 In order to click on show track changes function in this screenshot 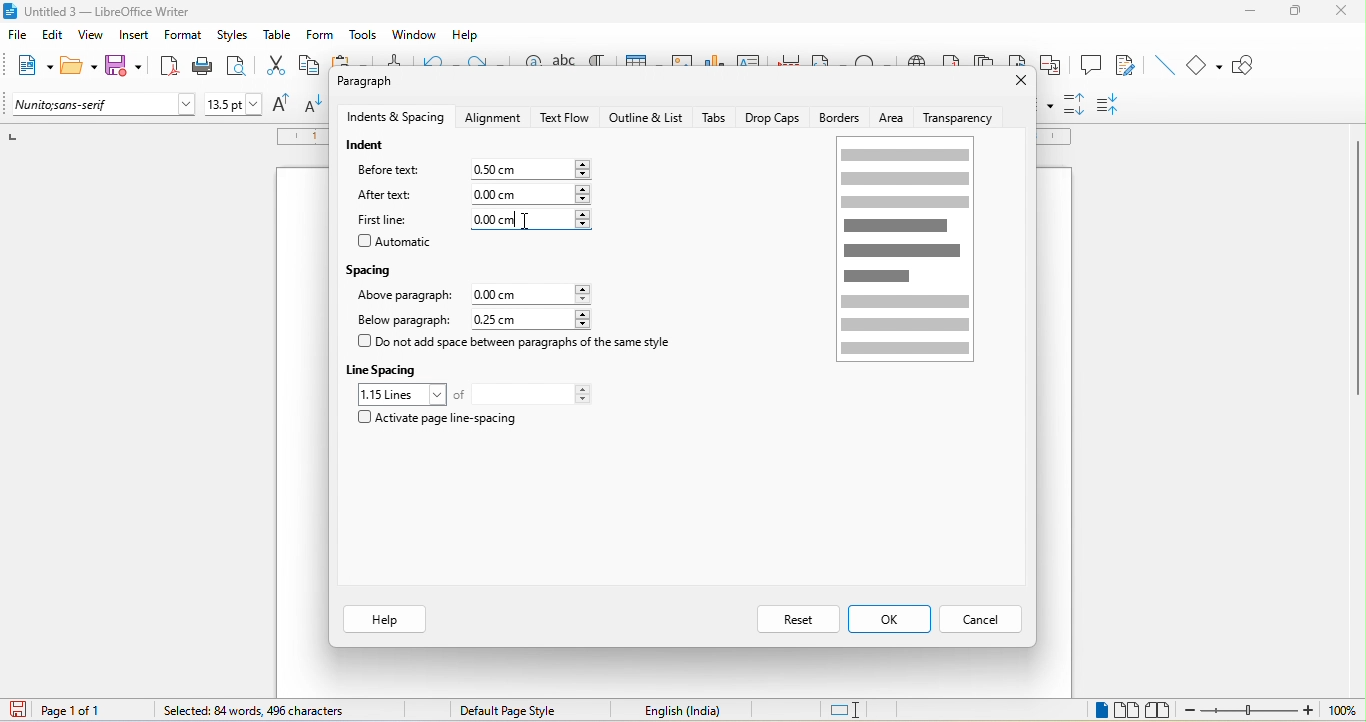, I will do `click(1129, 66)`.